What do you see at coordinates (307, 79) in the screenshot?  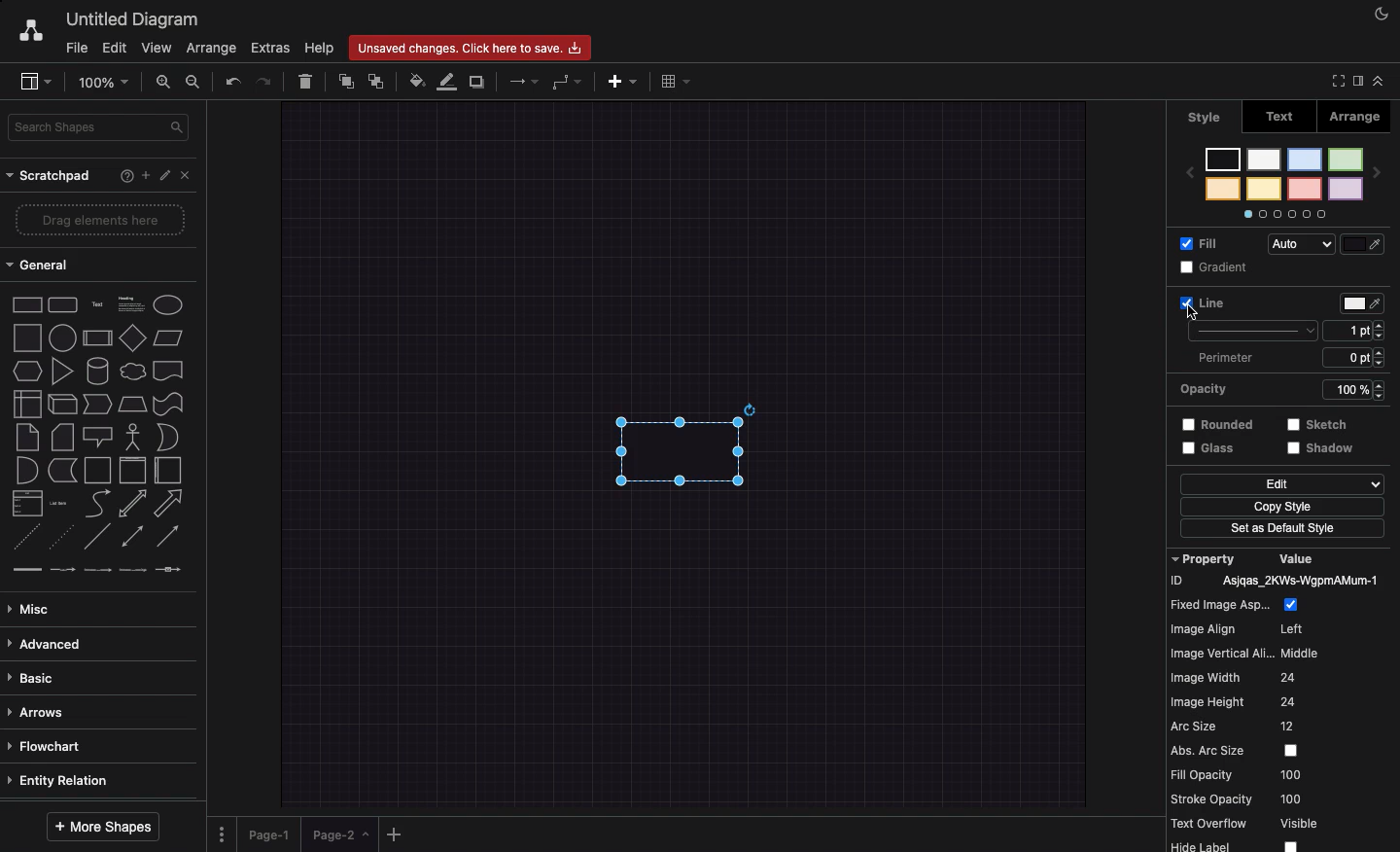 I see `Delete` at bounding box center [307, 79].